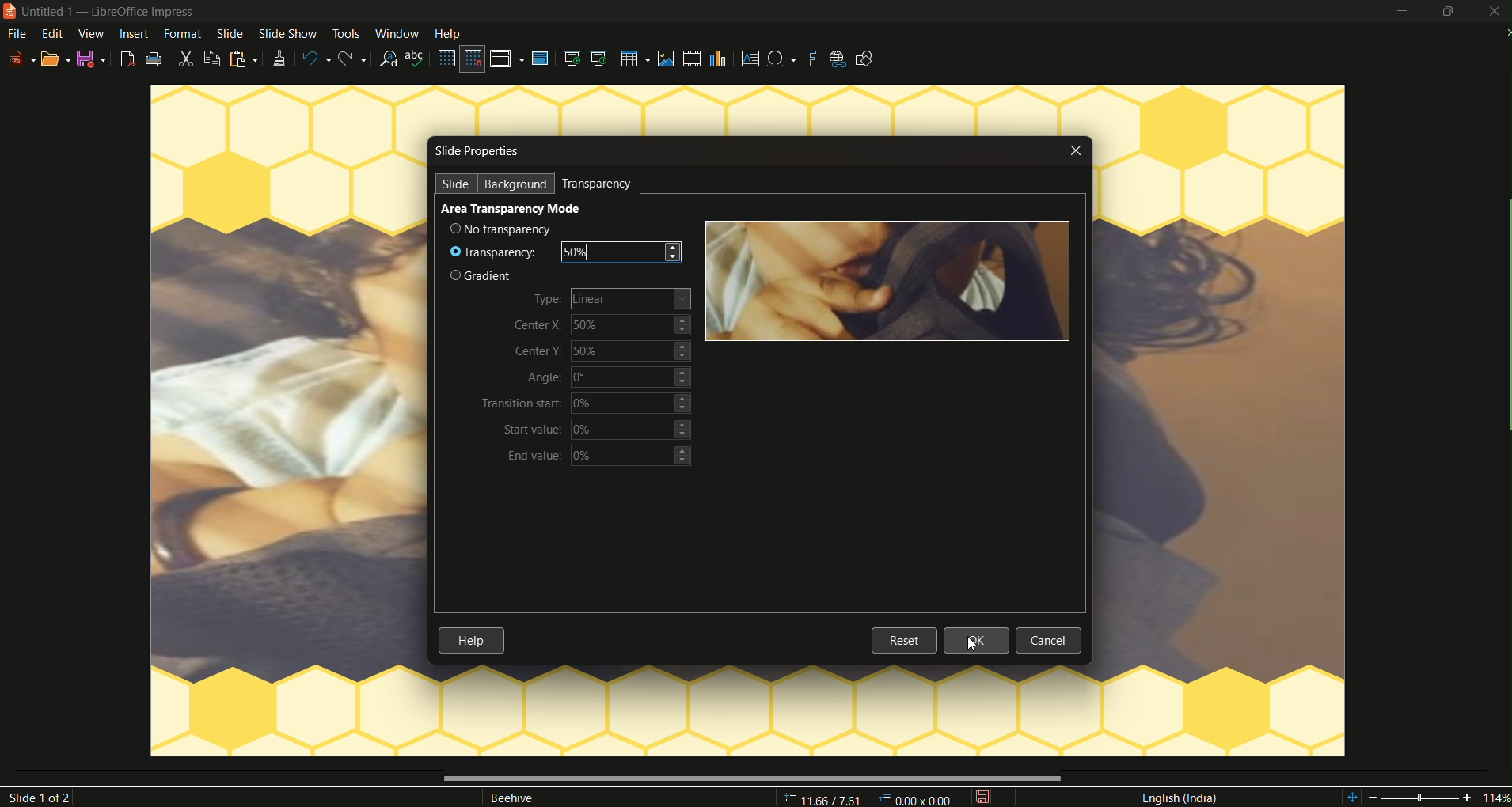  I want to click on 0%, so click(629, 429).